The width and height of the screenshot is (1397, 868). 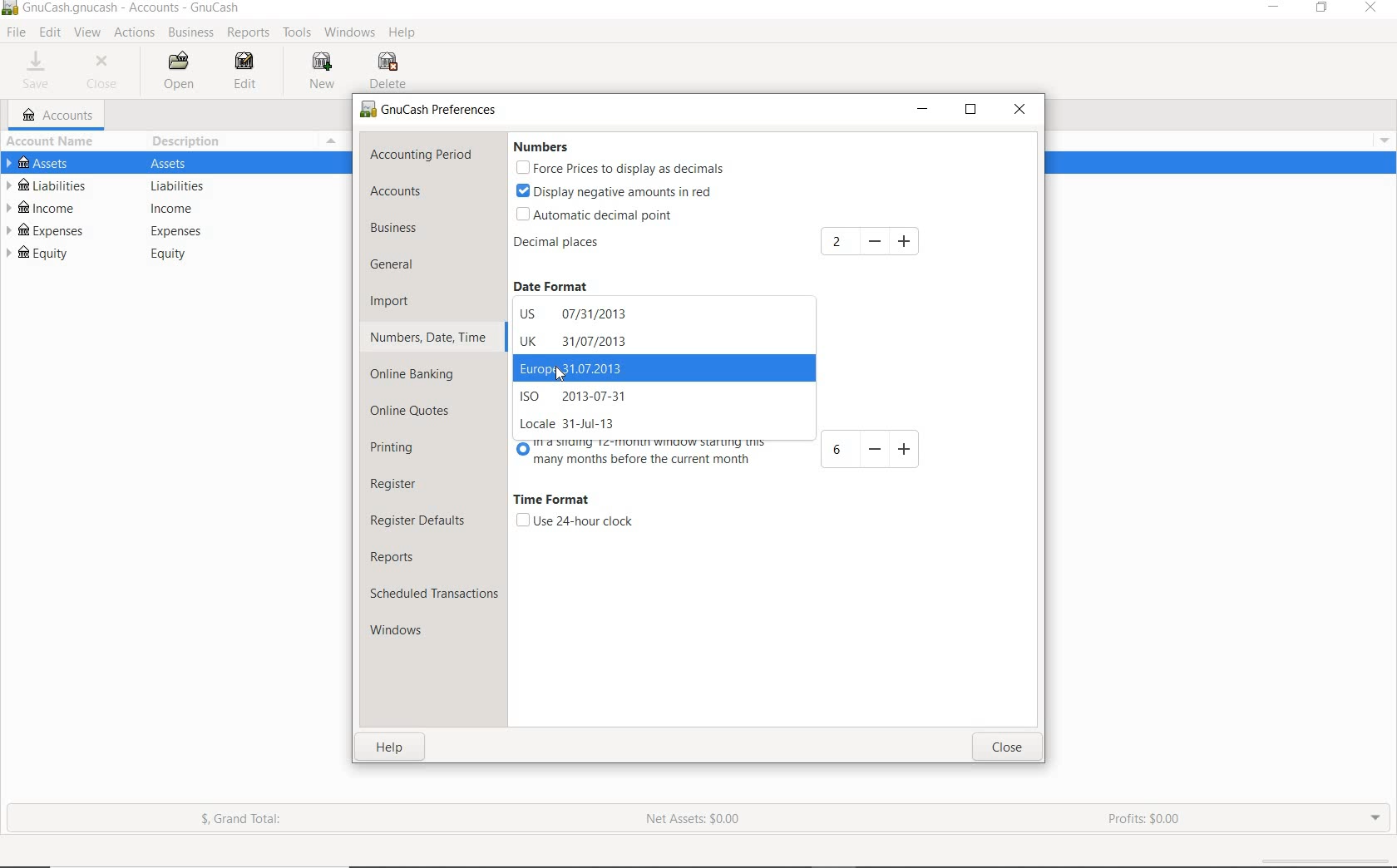 What do you see at coordinates (298, 35) in the screenshot?
I see `TOOLS` at bounding box center [298, 35].